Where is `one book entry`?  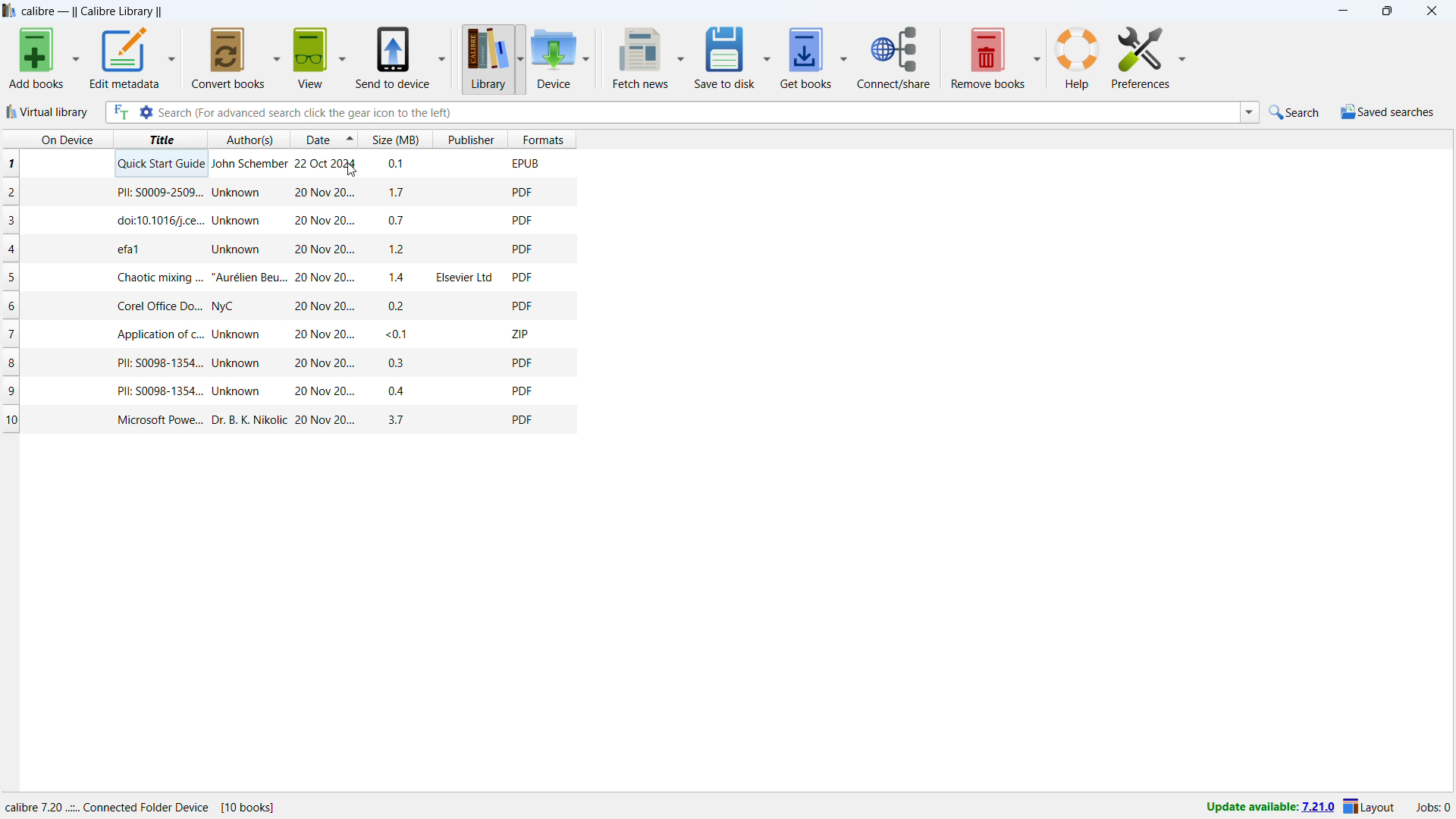
one book entry is located at coordinates (284, 221).